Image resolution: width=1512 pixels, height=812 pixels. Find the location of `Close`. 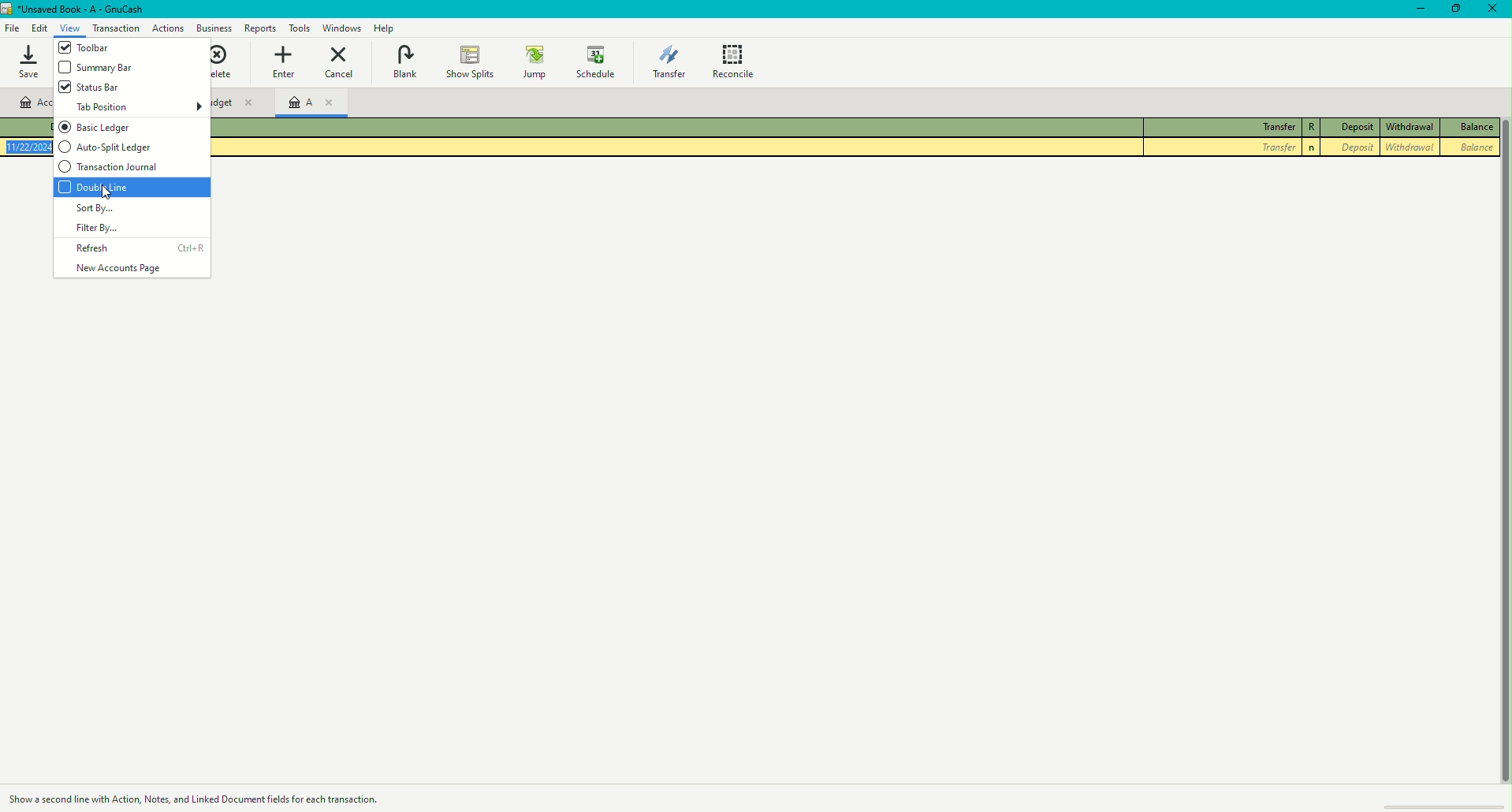

Close is located at coordinates (1496, 9).